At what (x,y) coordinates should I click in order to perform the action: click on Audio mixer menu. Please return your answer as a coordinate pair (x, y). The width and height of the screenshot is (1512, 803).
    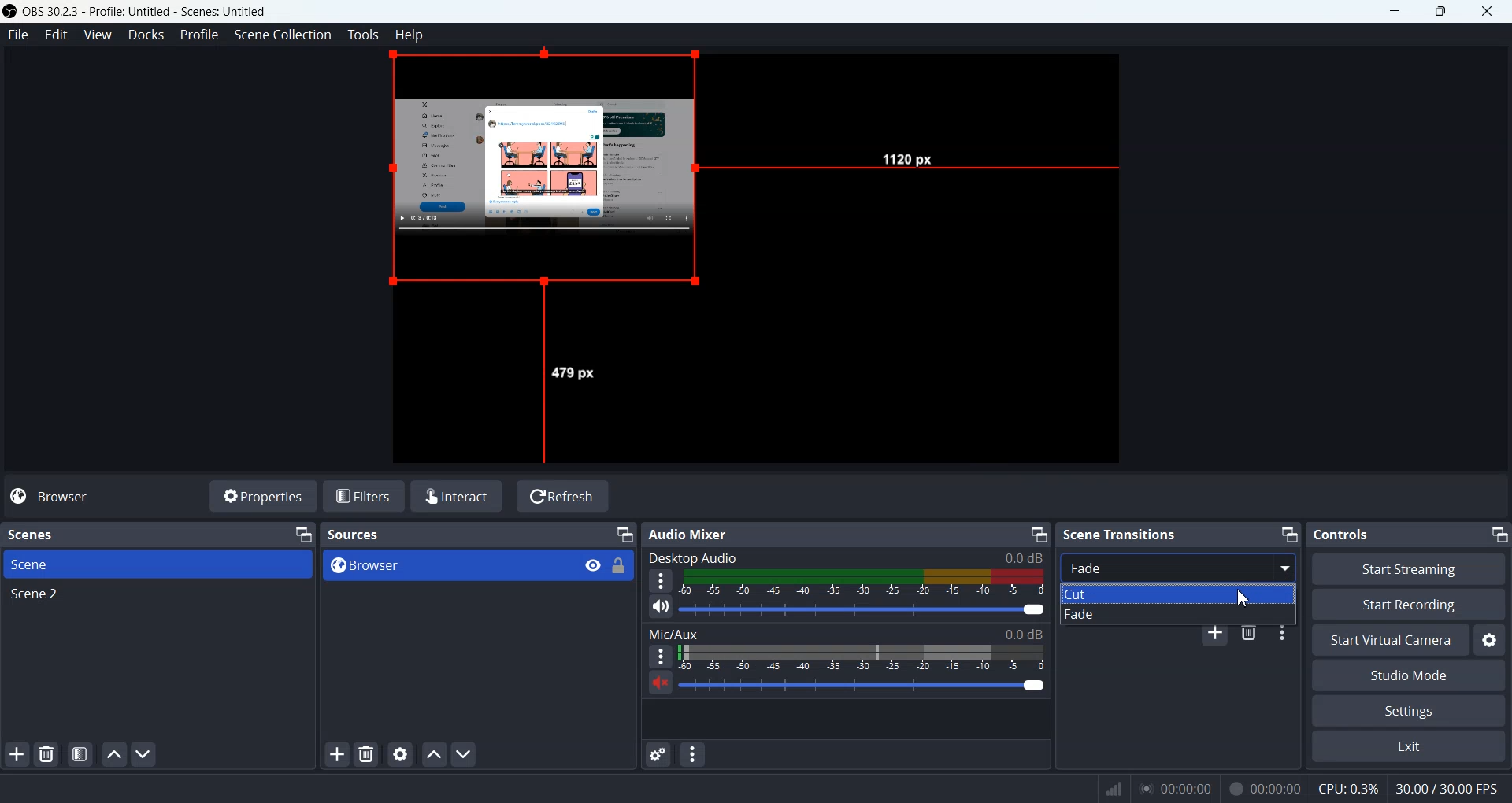
    Looking at the image, I should click on (694, 753).